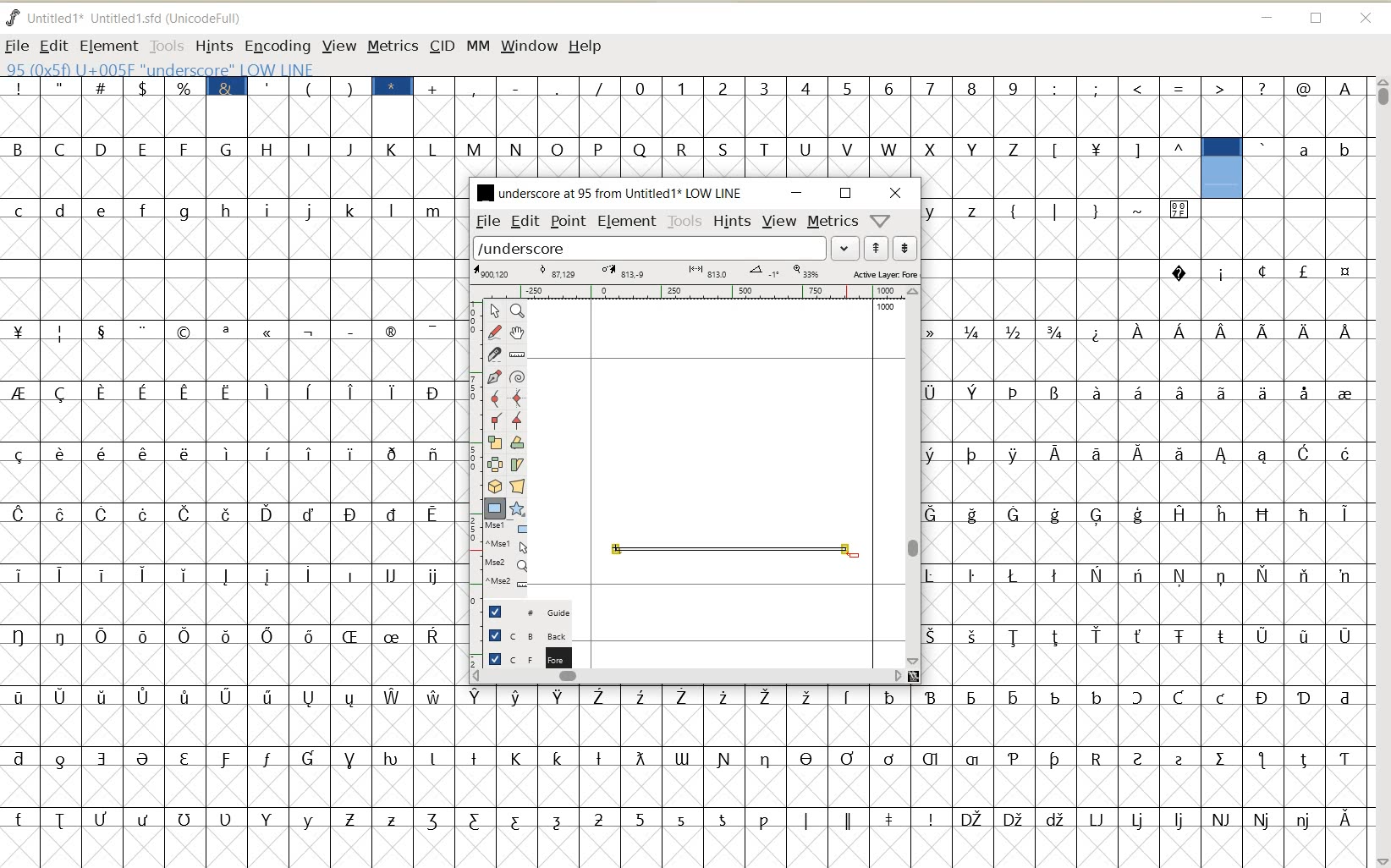  I want to click on load word list, so click(650, 247).